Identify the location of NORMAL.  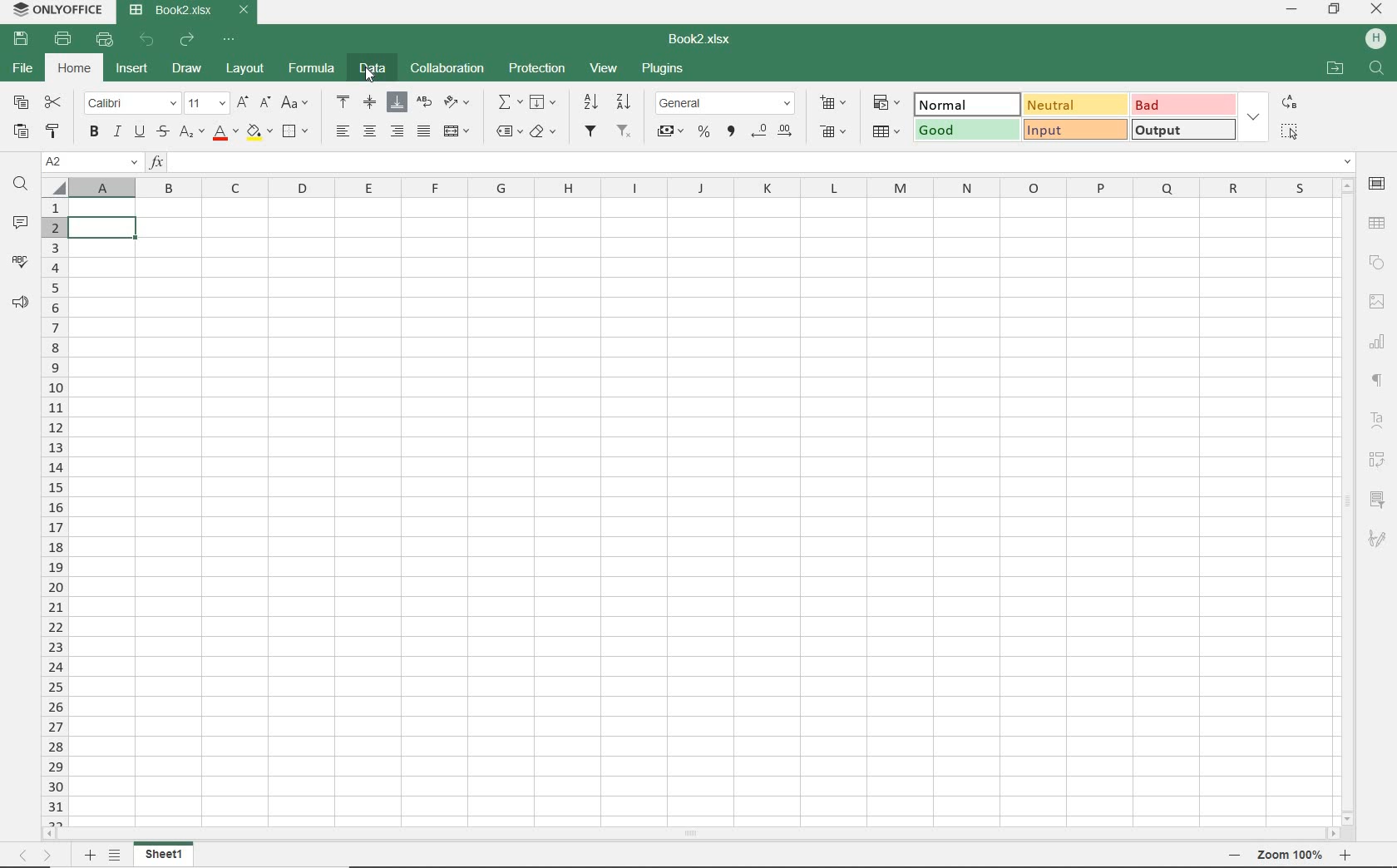
(963, 104).